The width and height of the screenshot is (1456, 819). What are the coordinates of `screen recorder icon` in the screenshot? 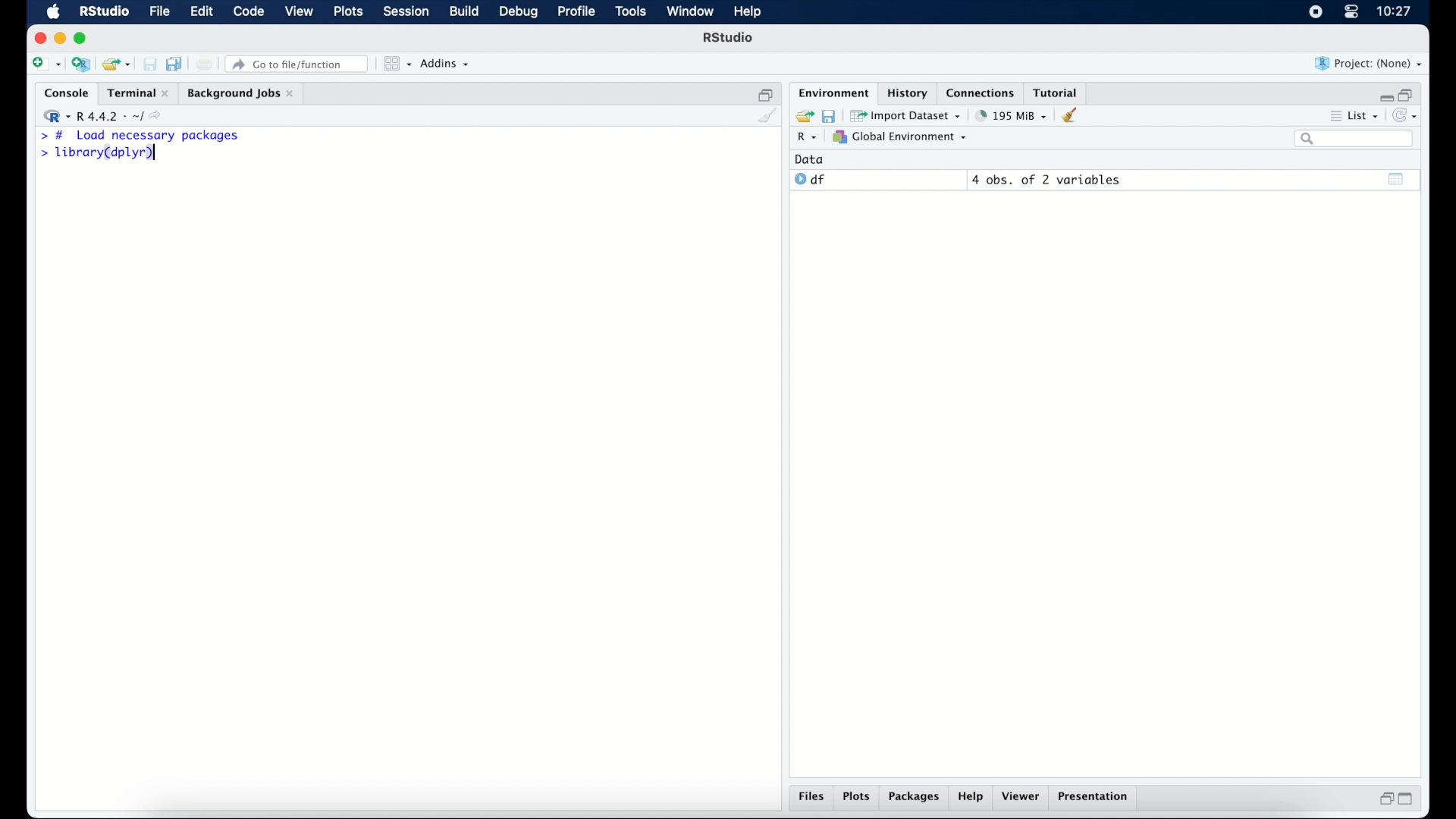 It's located at (1314, 12).